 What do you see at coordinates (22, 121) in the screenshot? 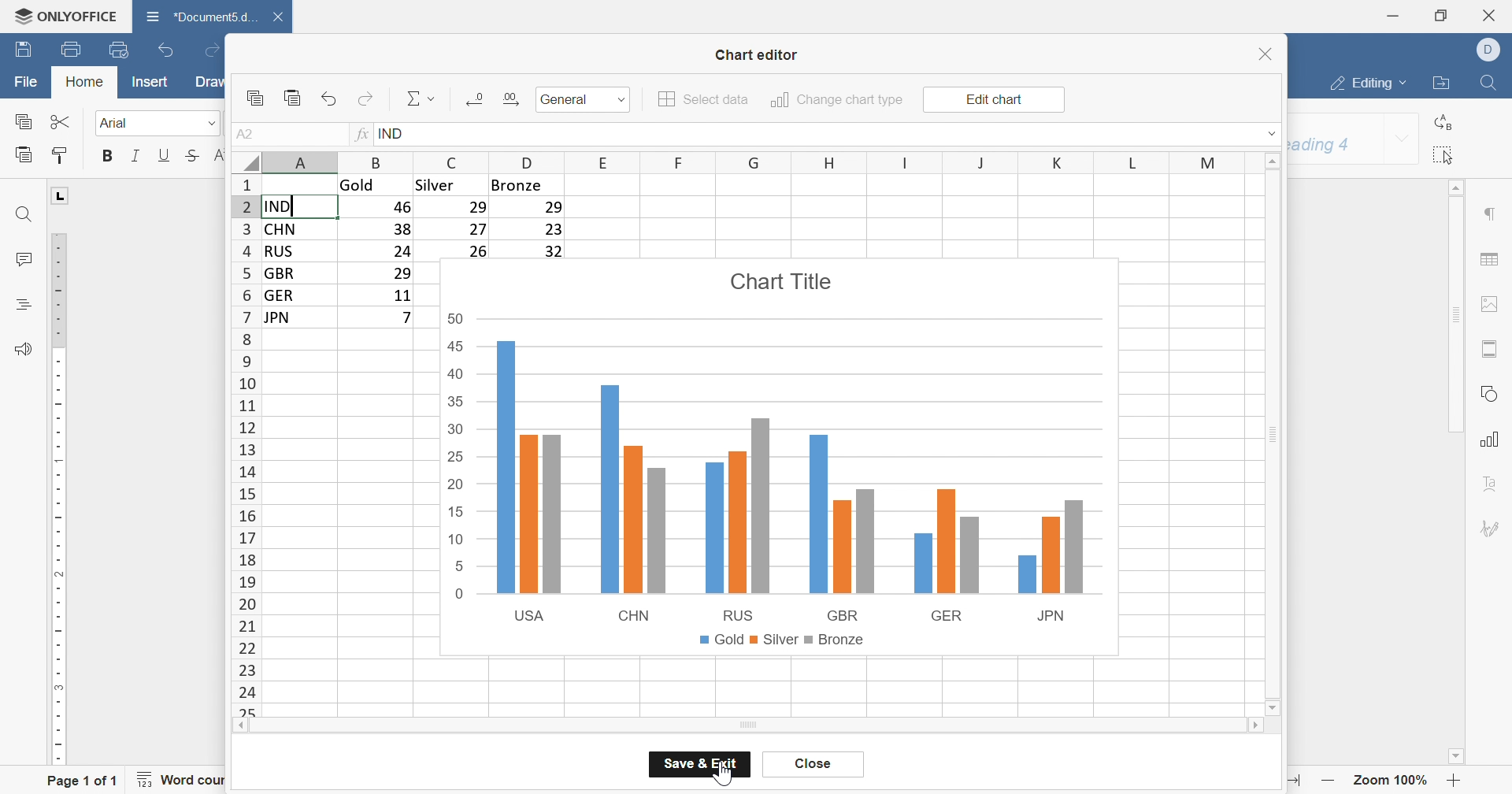
I see `copy` at bounding box center [22, 121].